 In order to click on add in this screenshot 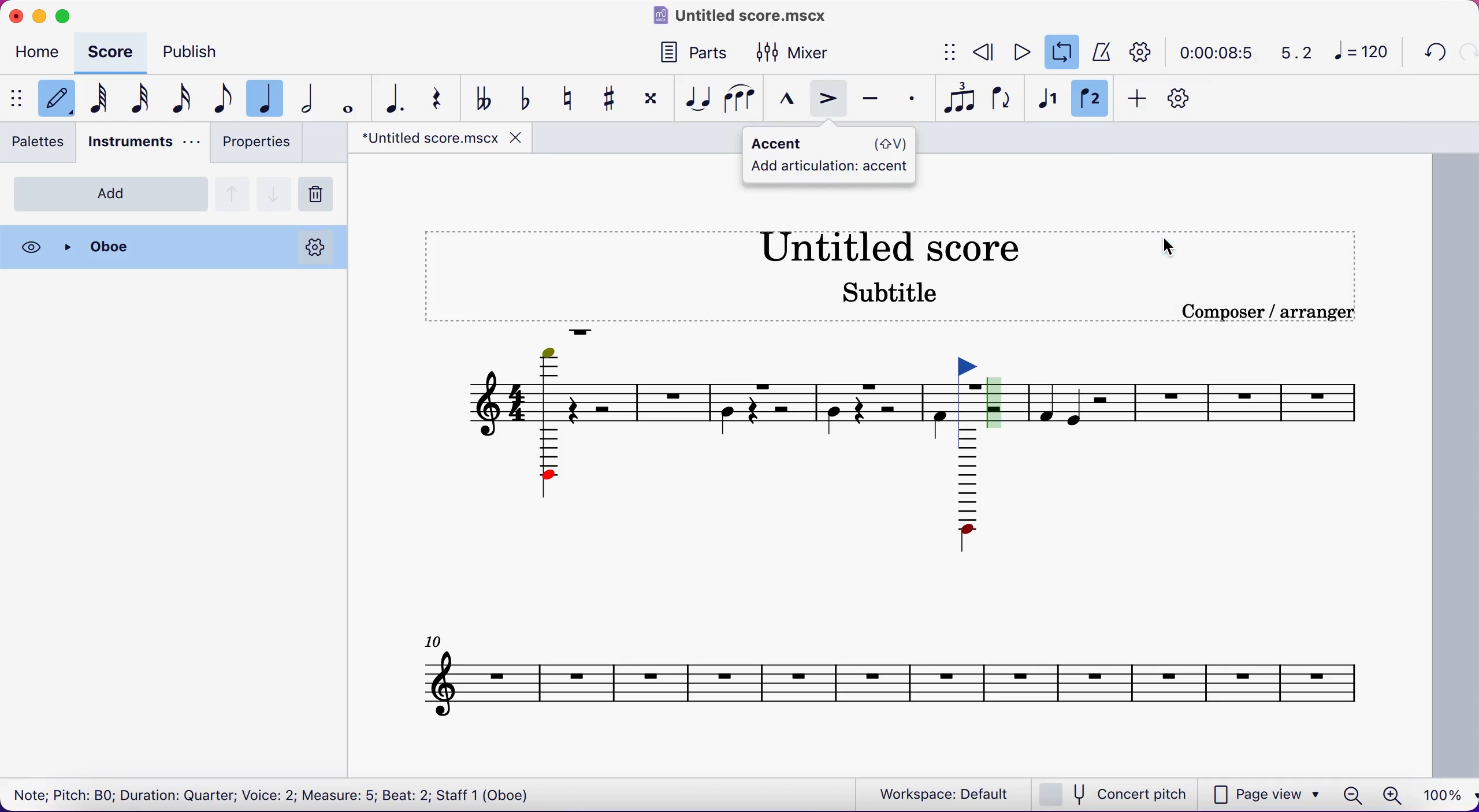, I will do `click(111, 193)`.